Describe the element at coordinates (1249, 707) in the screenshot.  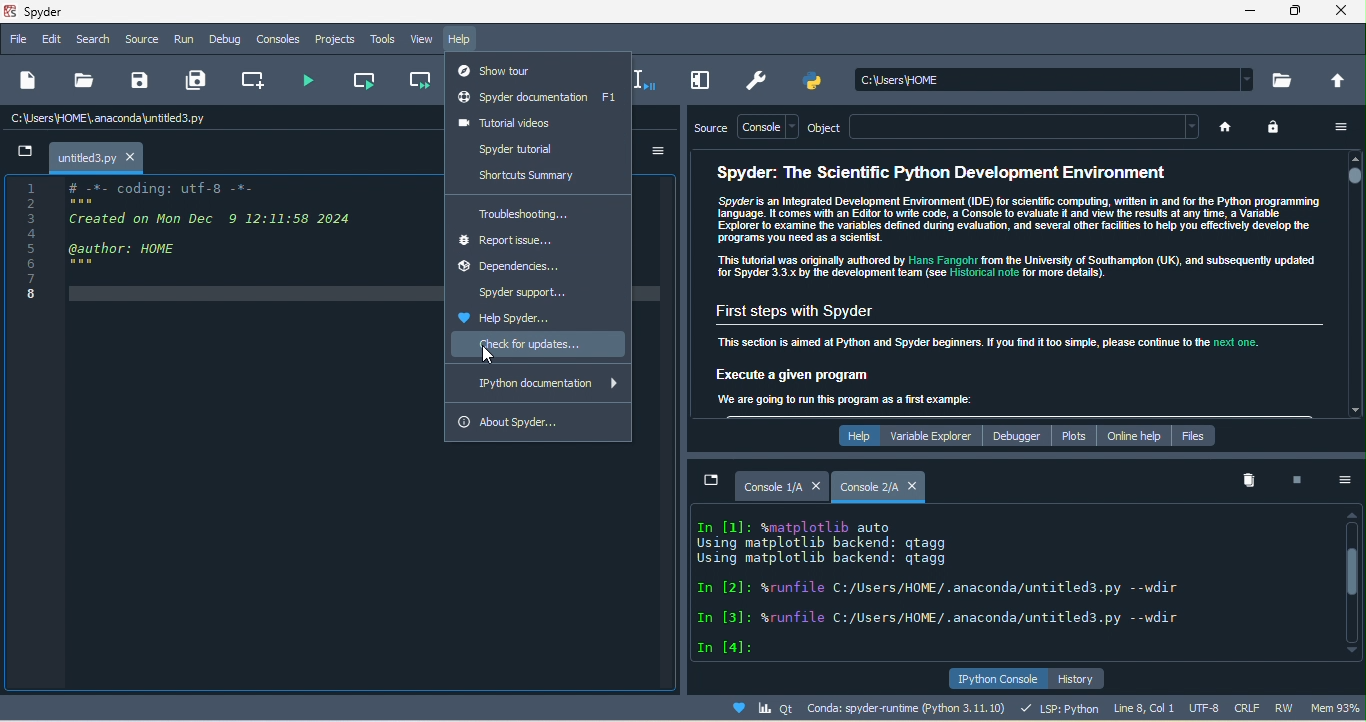
I see `crlf` at that location.